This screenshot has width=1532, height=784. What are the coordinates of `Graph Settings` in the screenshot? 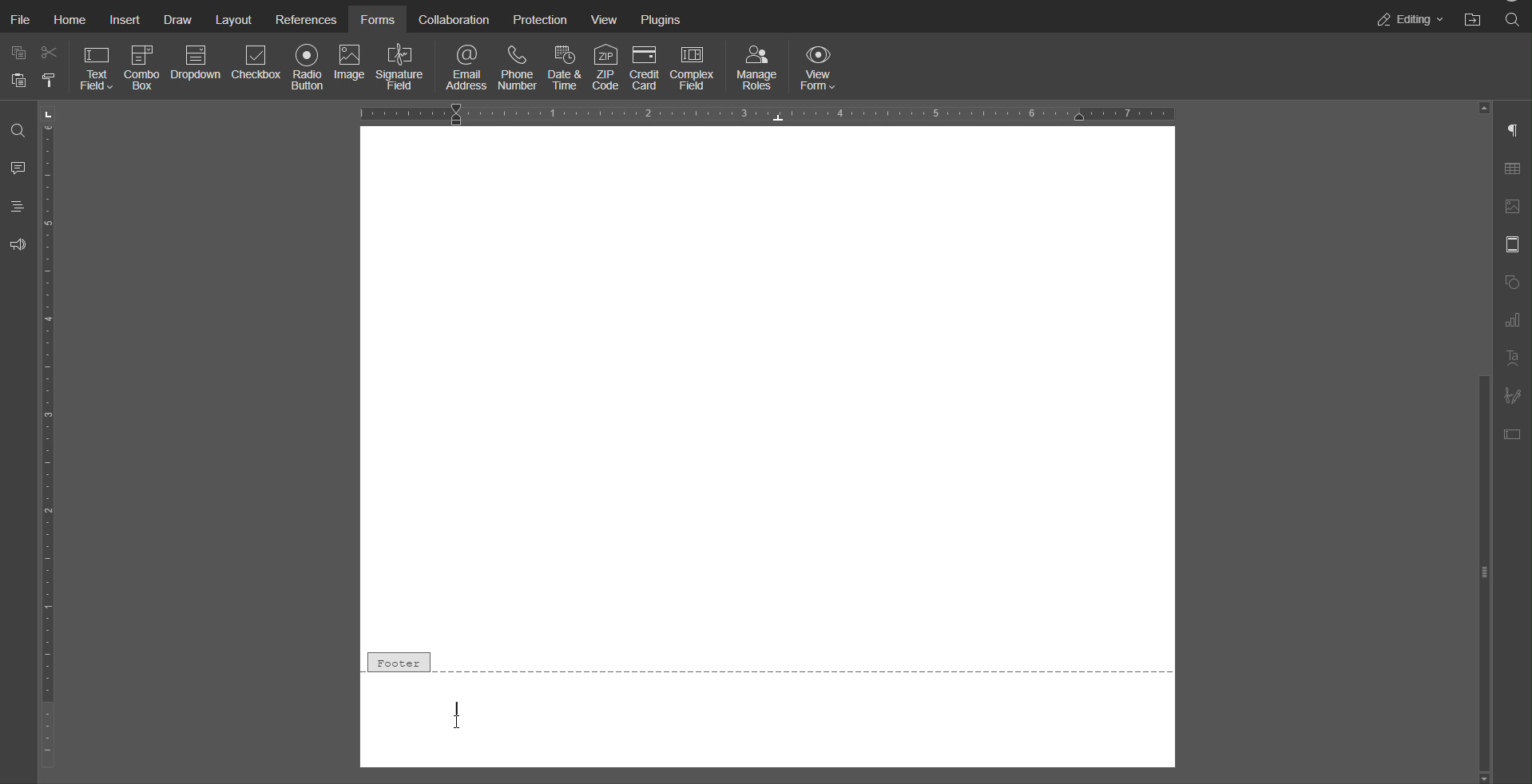 It's located at (1512, 320).